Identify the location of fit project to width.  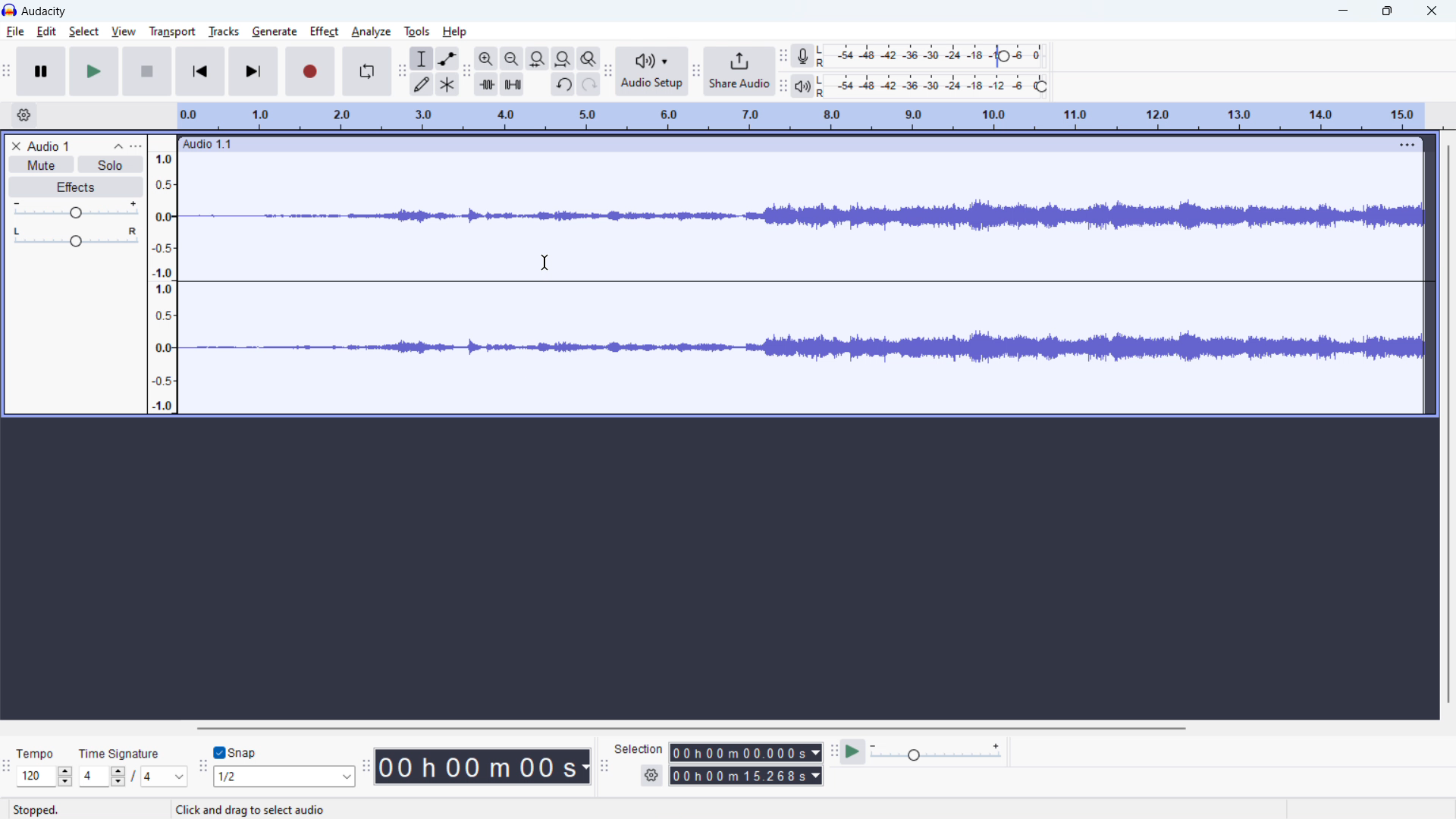
(563, 58).